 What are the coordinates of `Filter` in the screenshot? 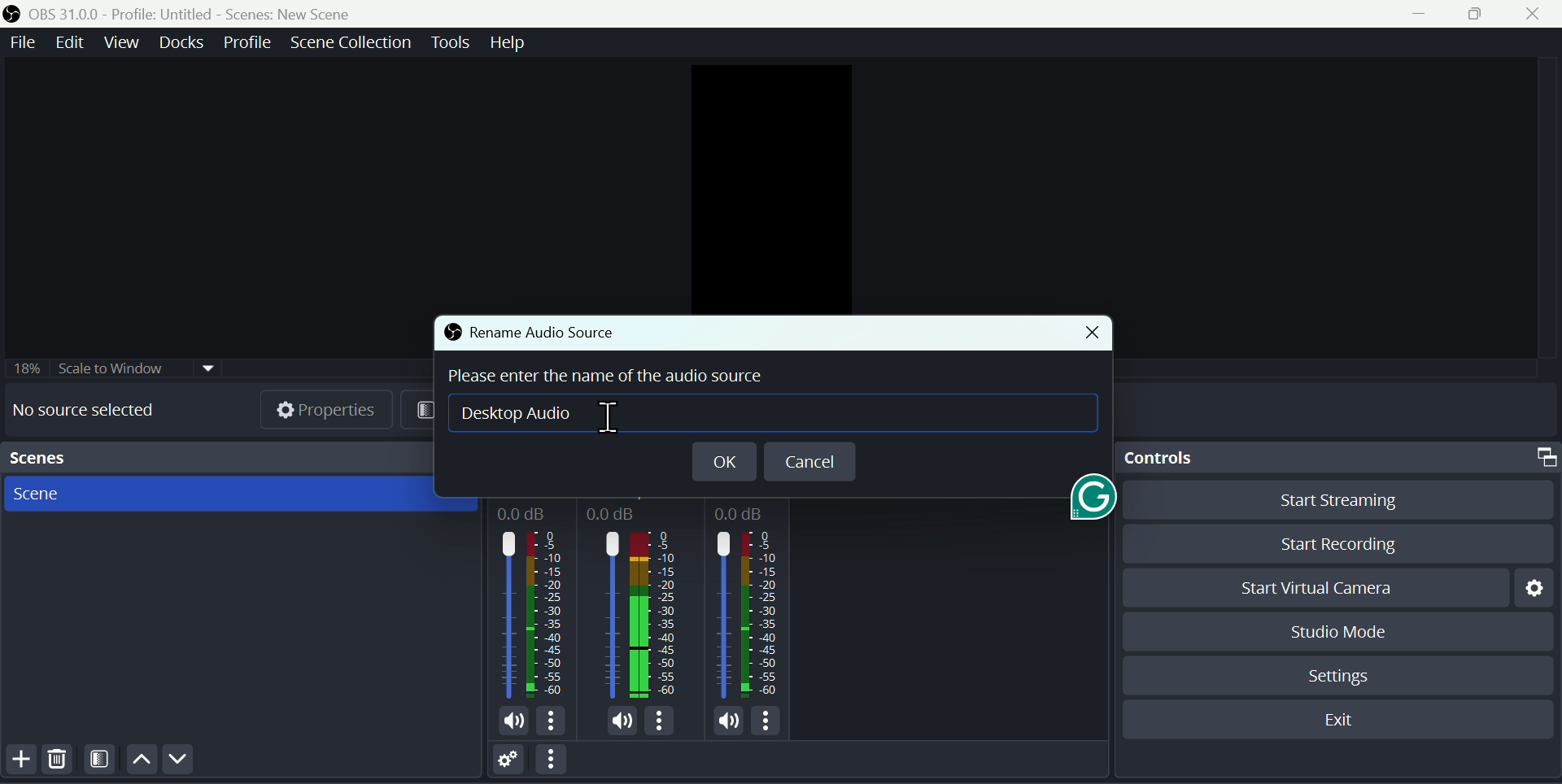 It's located at (101, 761).